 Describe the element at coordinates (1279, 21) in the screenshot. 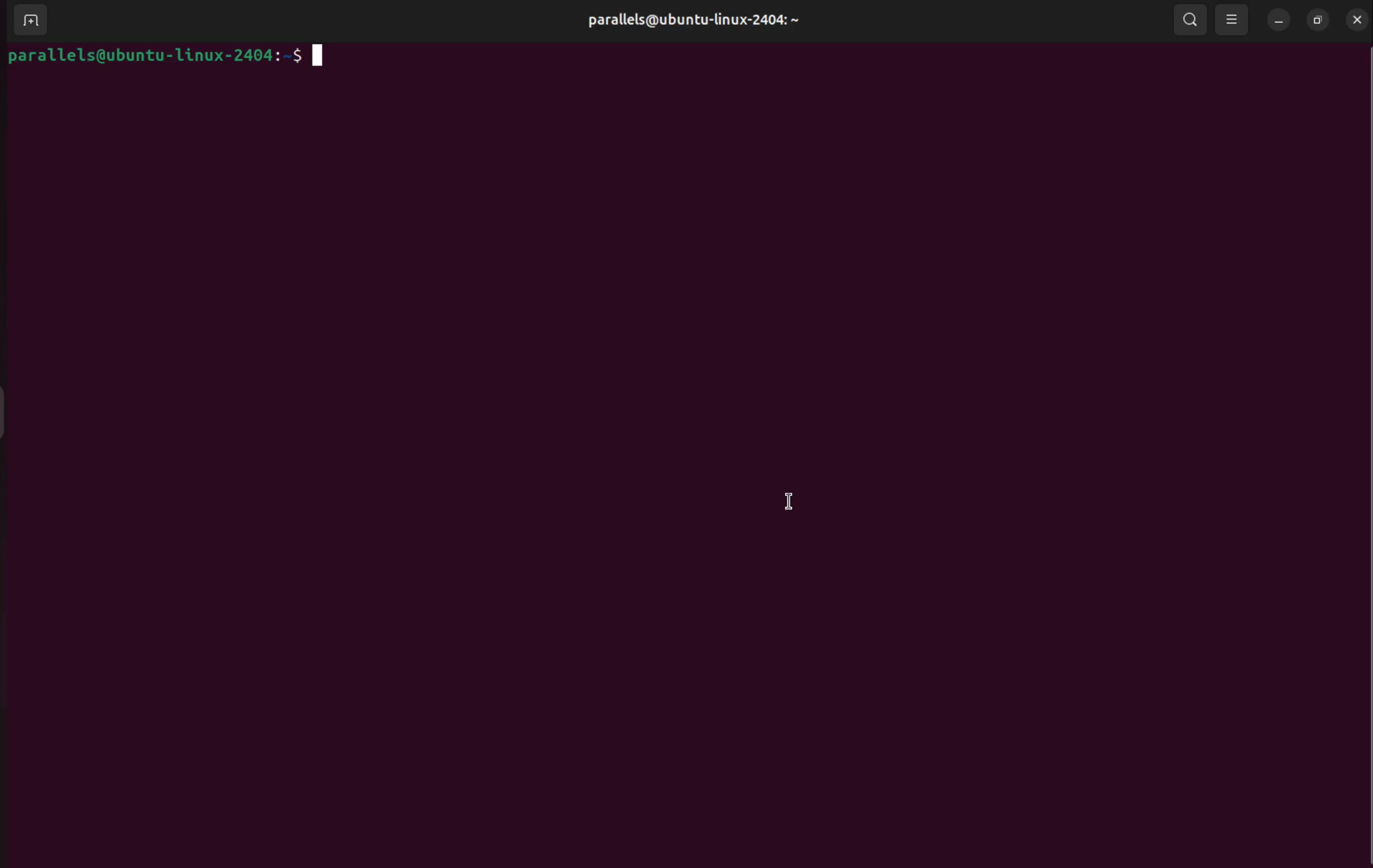

I see `minimize` at that location.